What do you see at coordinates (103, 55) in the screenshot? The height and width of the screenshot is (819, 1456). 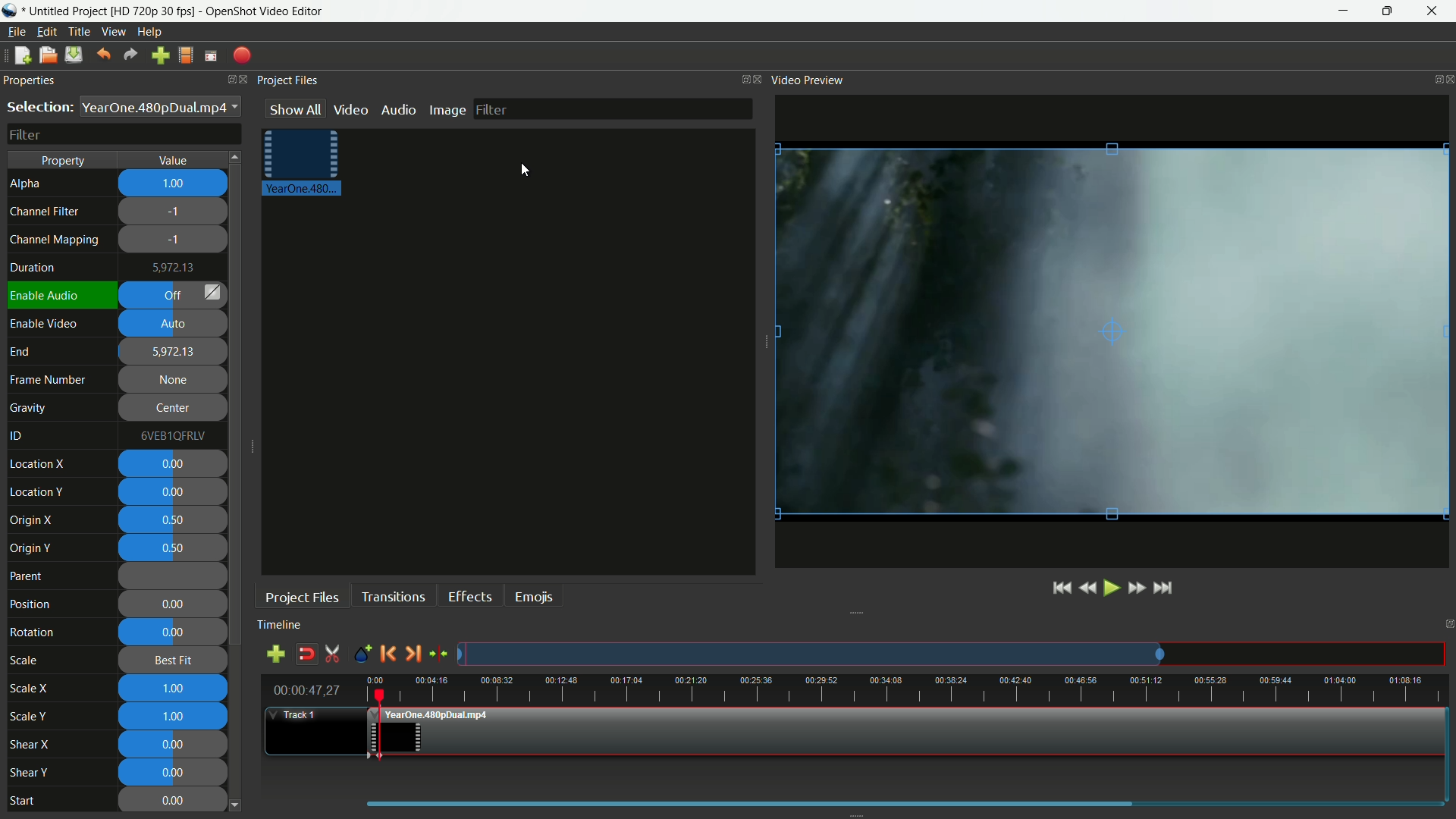 I see `undo` at bounding box center [103, 55].